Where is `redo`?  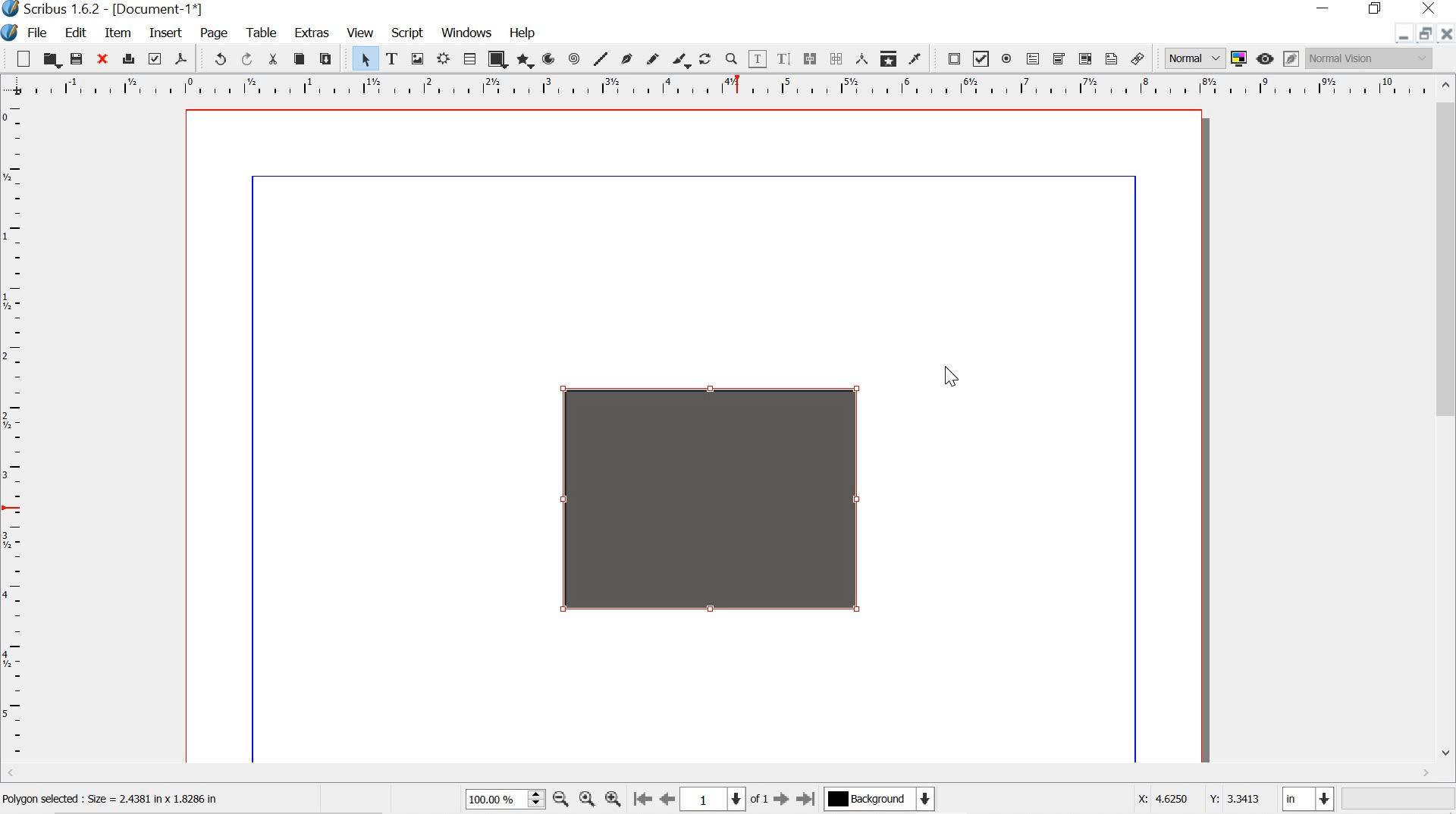
redo is located at coordinates (250, 60).